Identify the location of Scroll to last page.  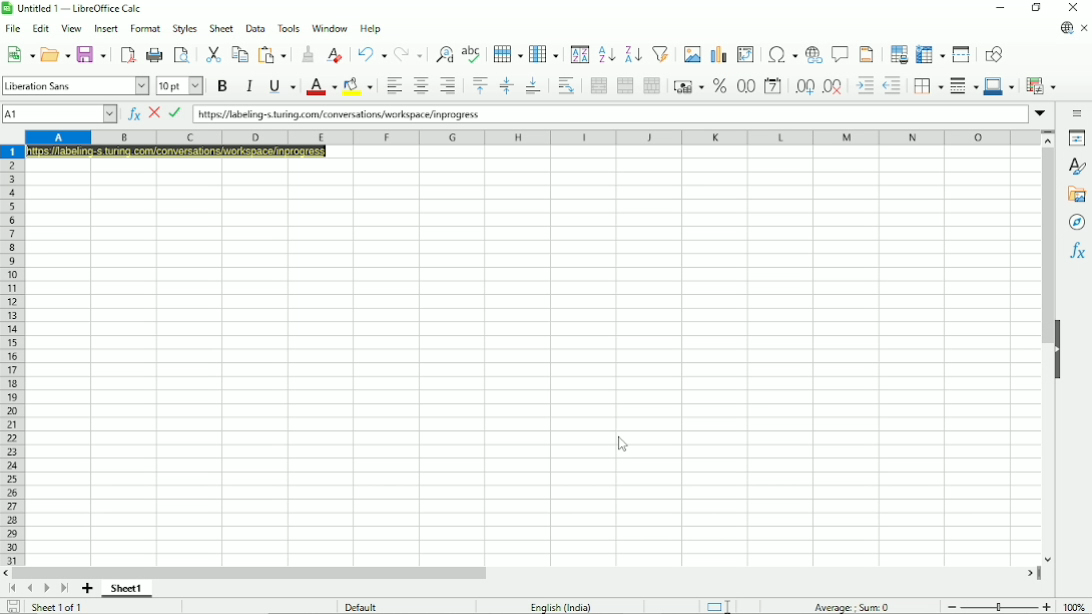
(64, 588).